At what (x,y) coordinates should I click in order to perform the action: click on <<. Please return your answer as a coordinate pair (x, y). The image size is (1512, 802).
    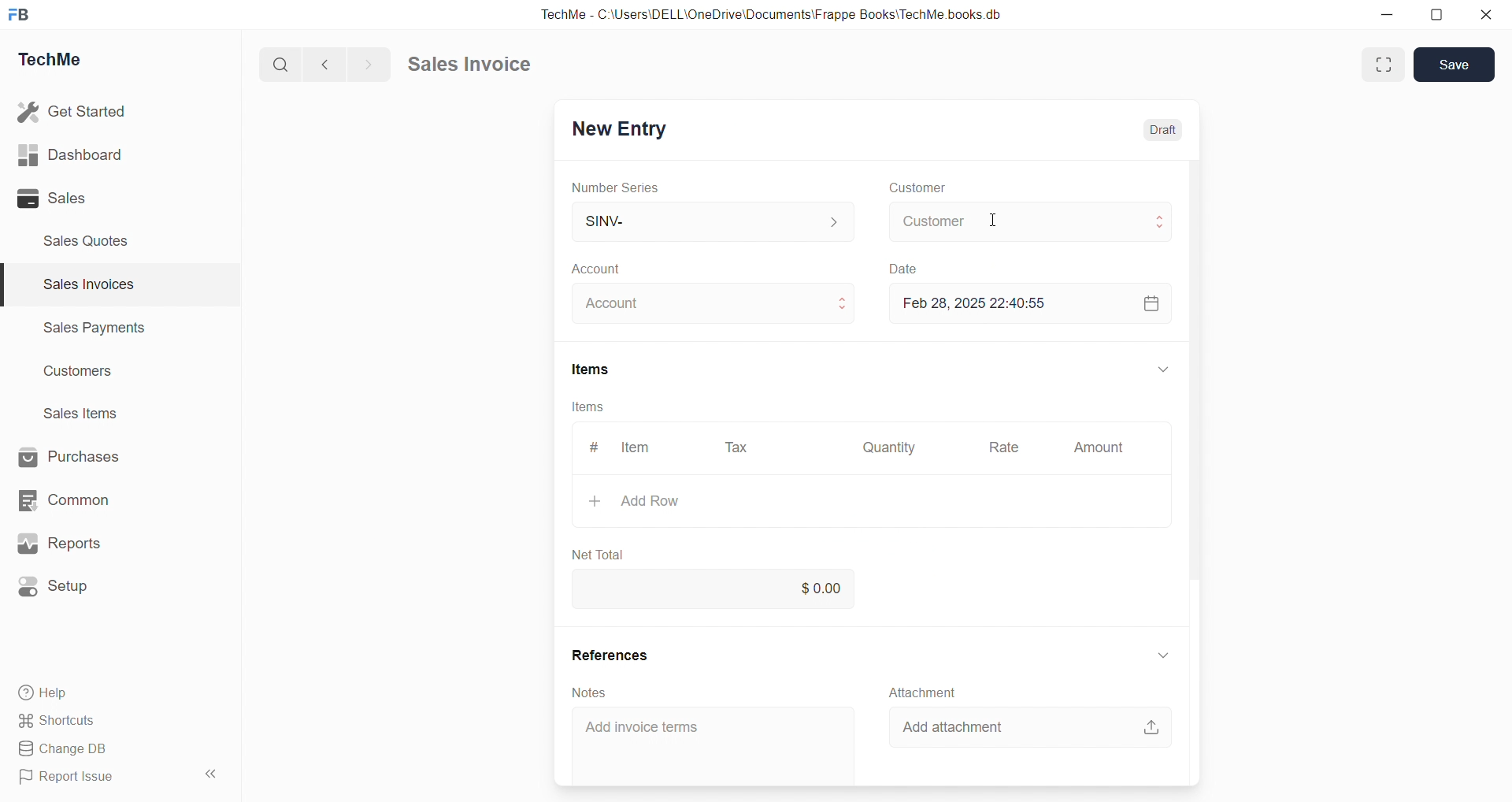
    Looking at the image, I should click on (209, 774).